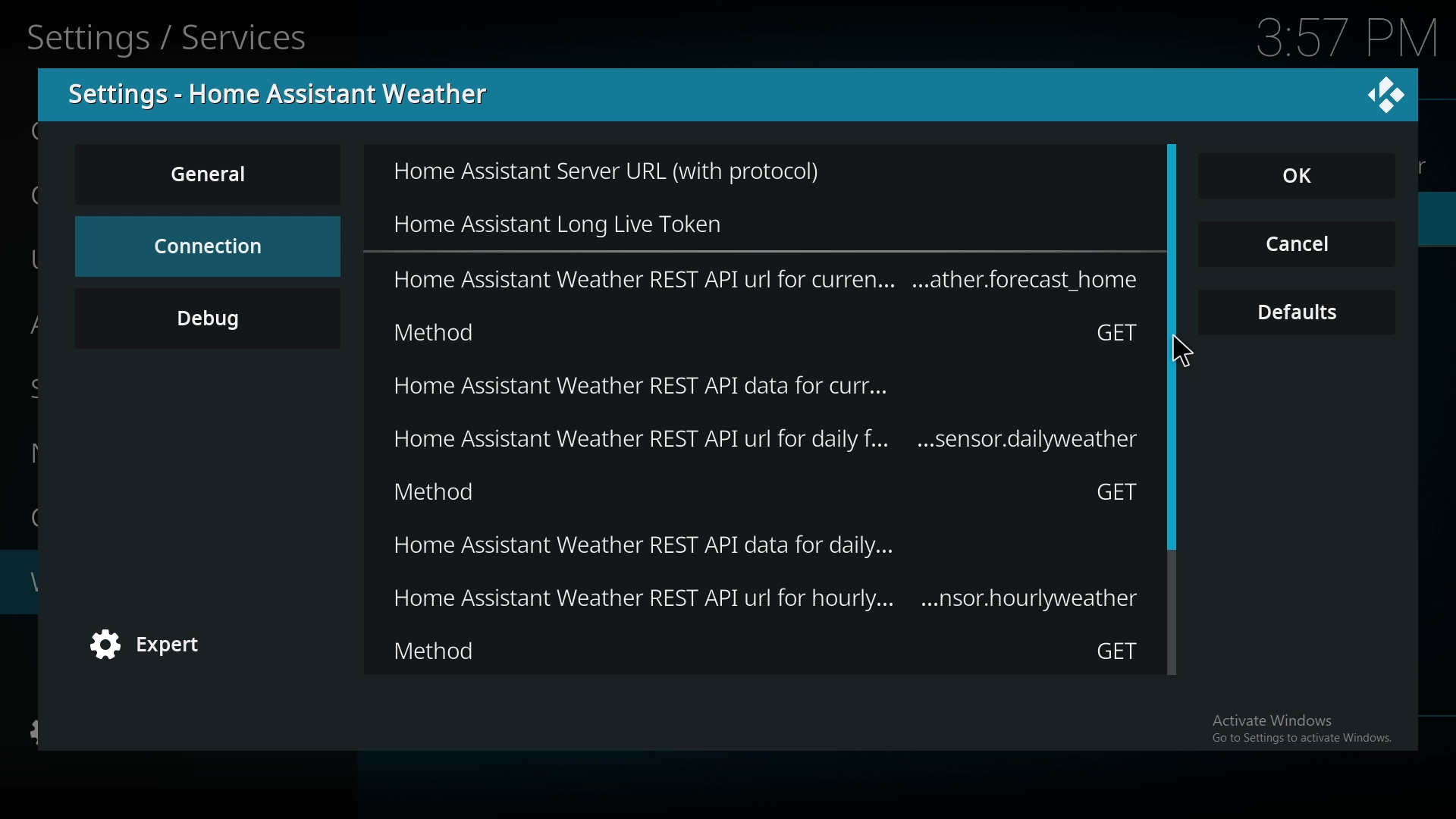 This screenshot has width=1456, height=819. What do you see at coordinates (155, 646) in the screenshot?
I see `expert` at bounding box center [155, 646].